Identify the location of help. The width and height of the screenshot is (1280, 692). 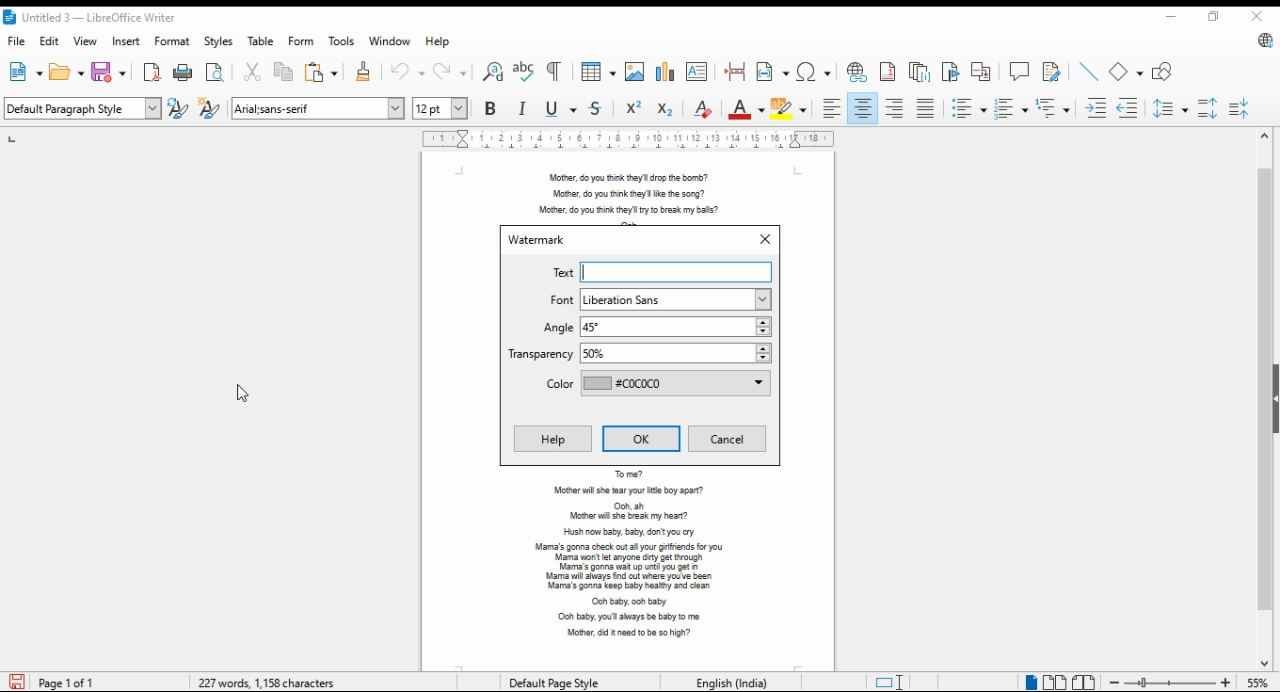
(441, 41).